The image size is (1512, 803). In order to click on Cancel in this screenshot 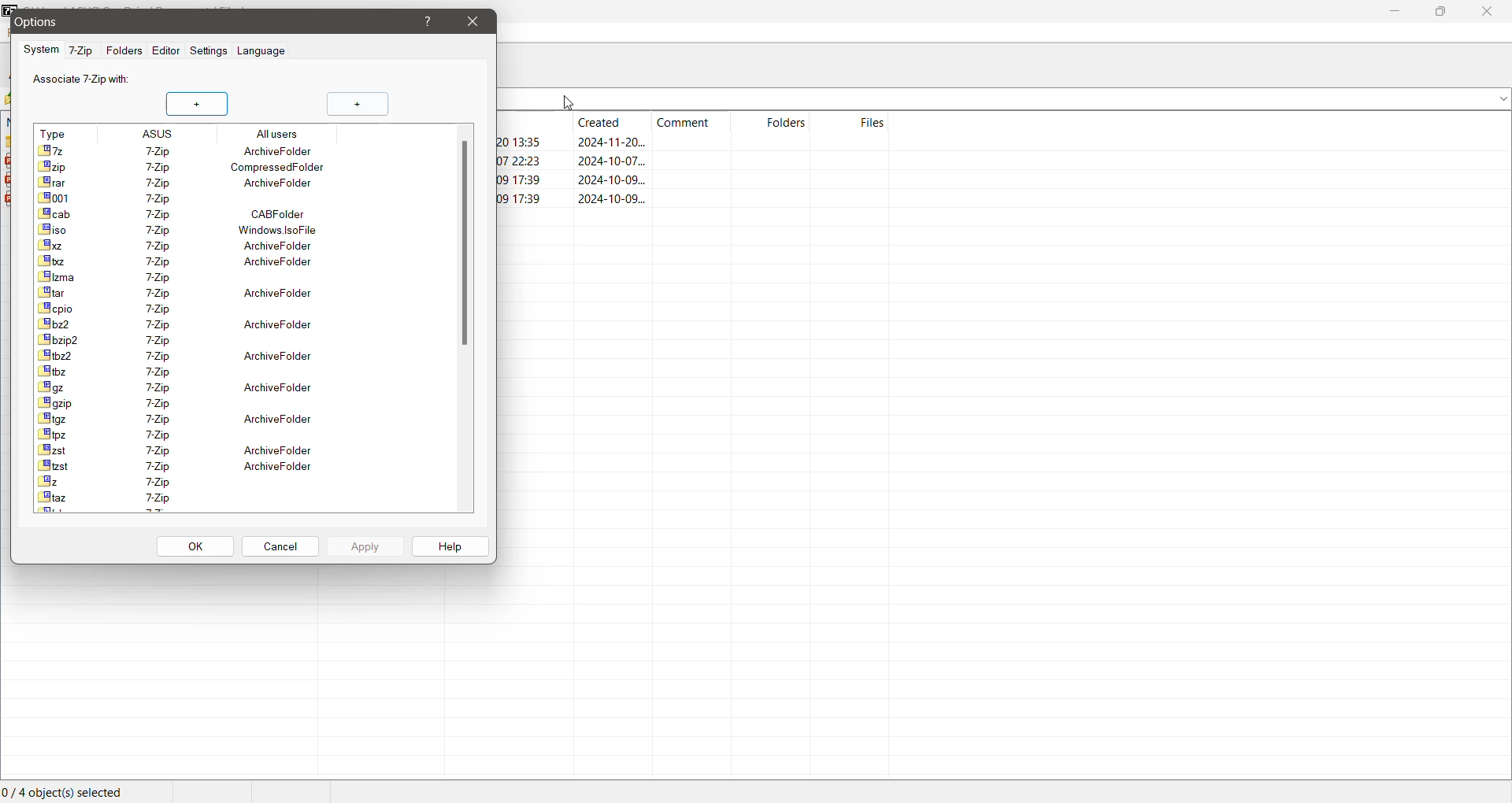, I will do `click(281, 545)`.